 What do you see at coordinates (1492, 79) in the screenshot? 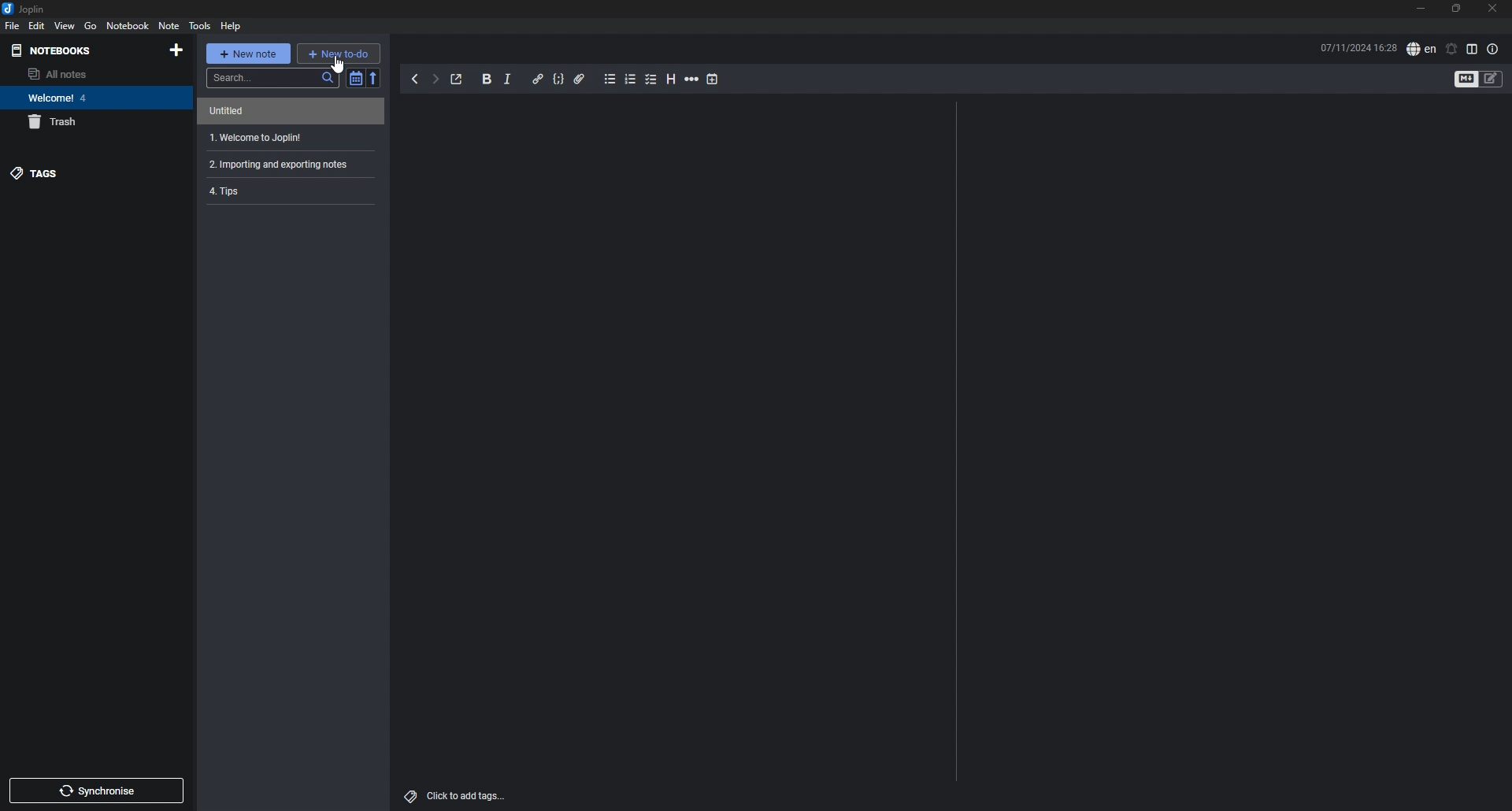
I see `toggle editors` at bounding box center [1492, 79].